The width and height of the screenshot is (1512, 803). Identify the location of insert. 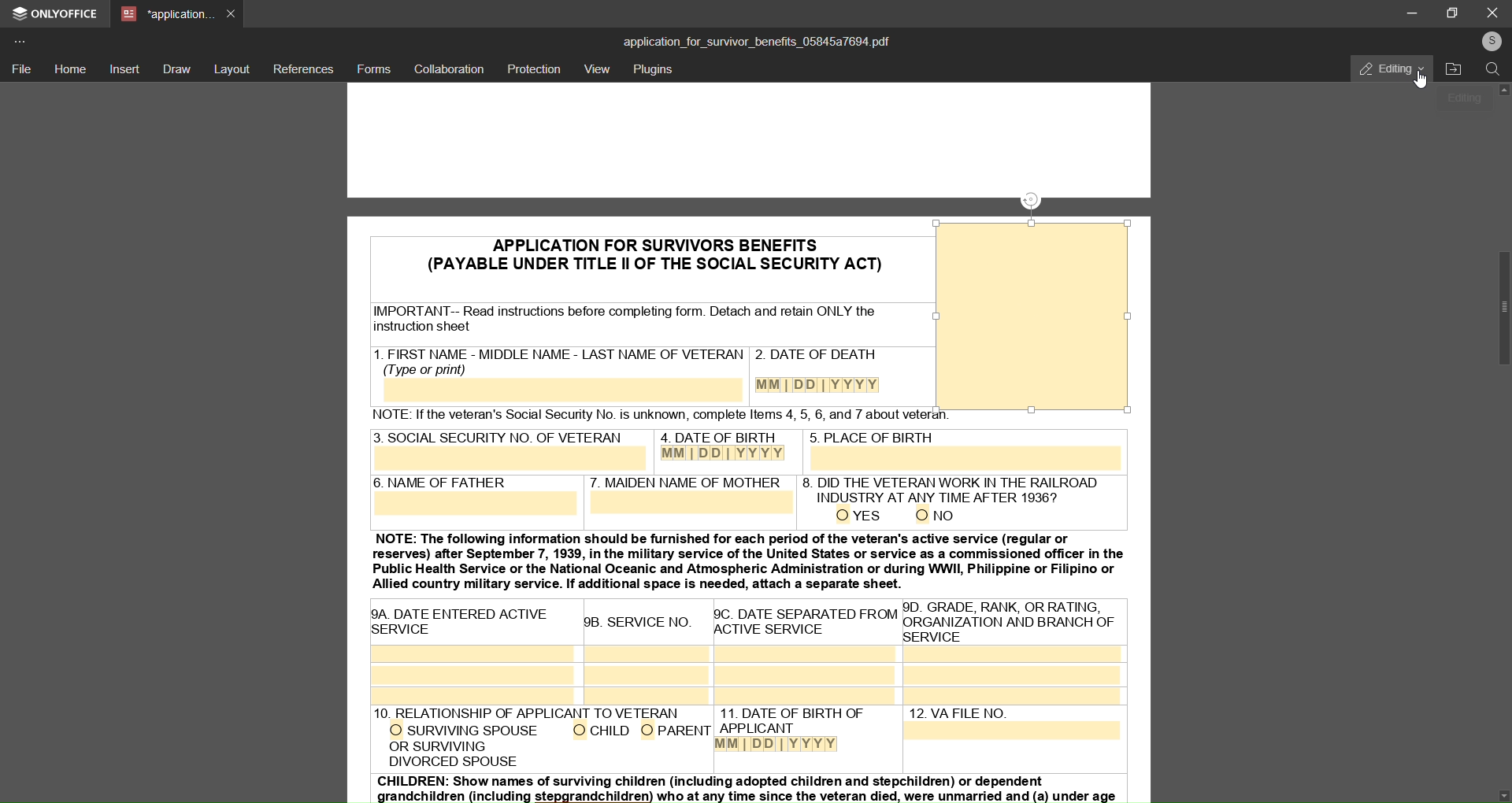
(126, 70).